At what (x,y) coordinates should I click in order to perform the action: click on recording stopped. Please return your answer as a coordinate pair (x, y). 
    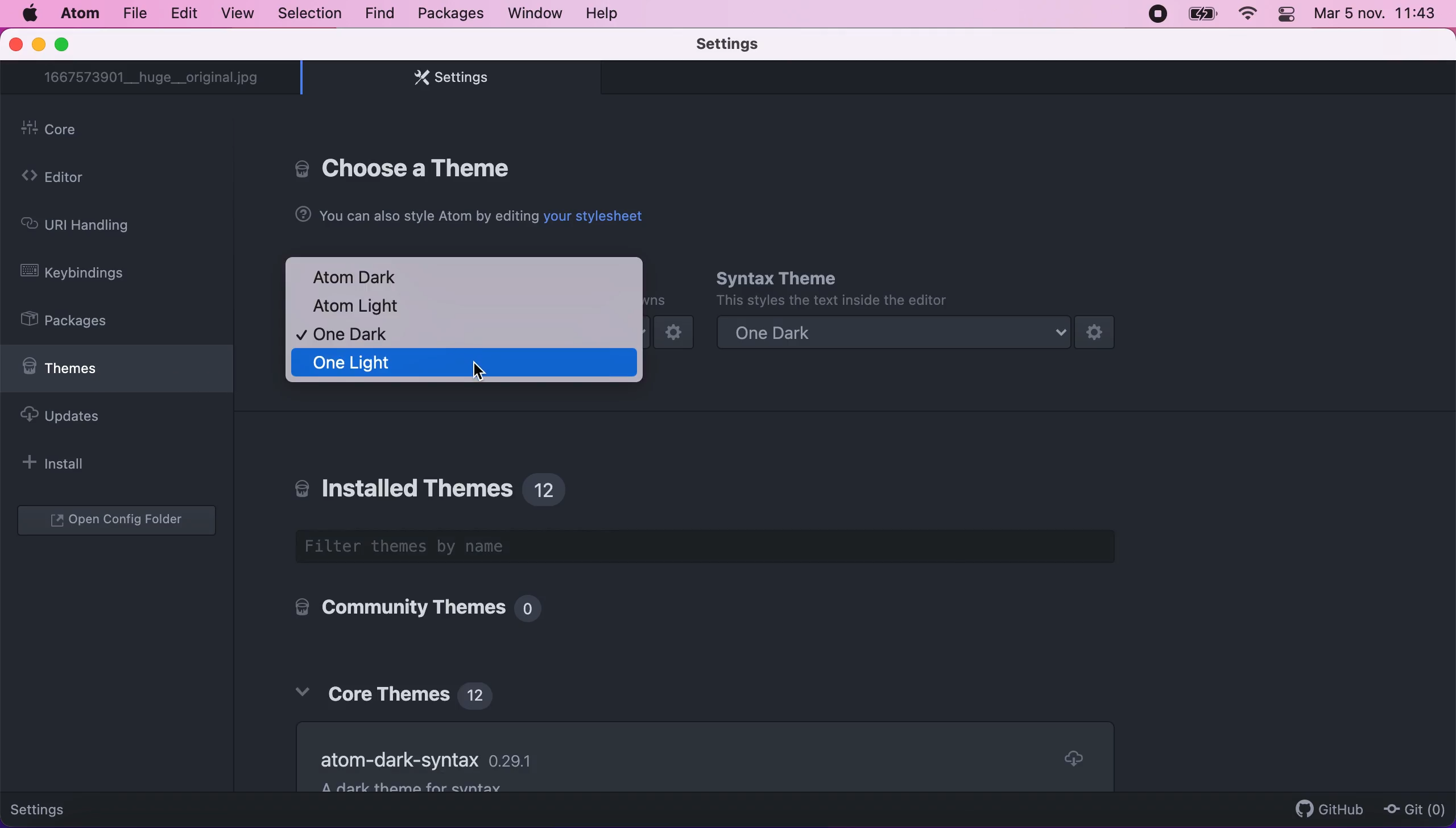
    Looking at the image, I should click on (1155, 14).